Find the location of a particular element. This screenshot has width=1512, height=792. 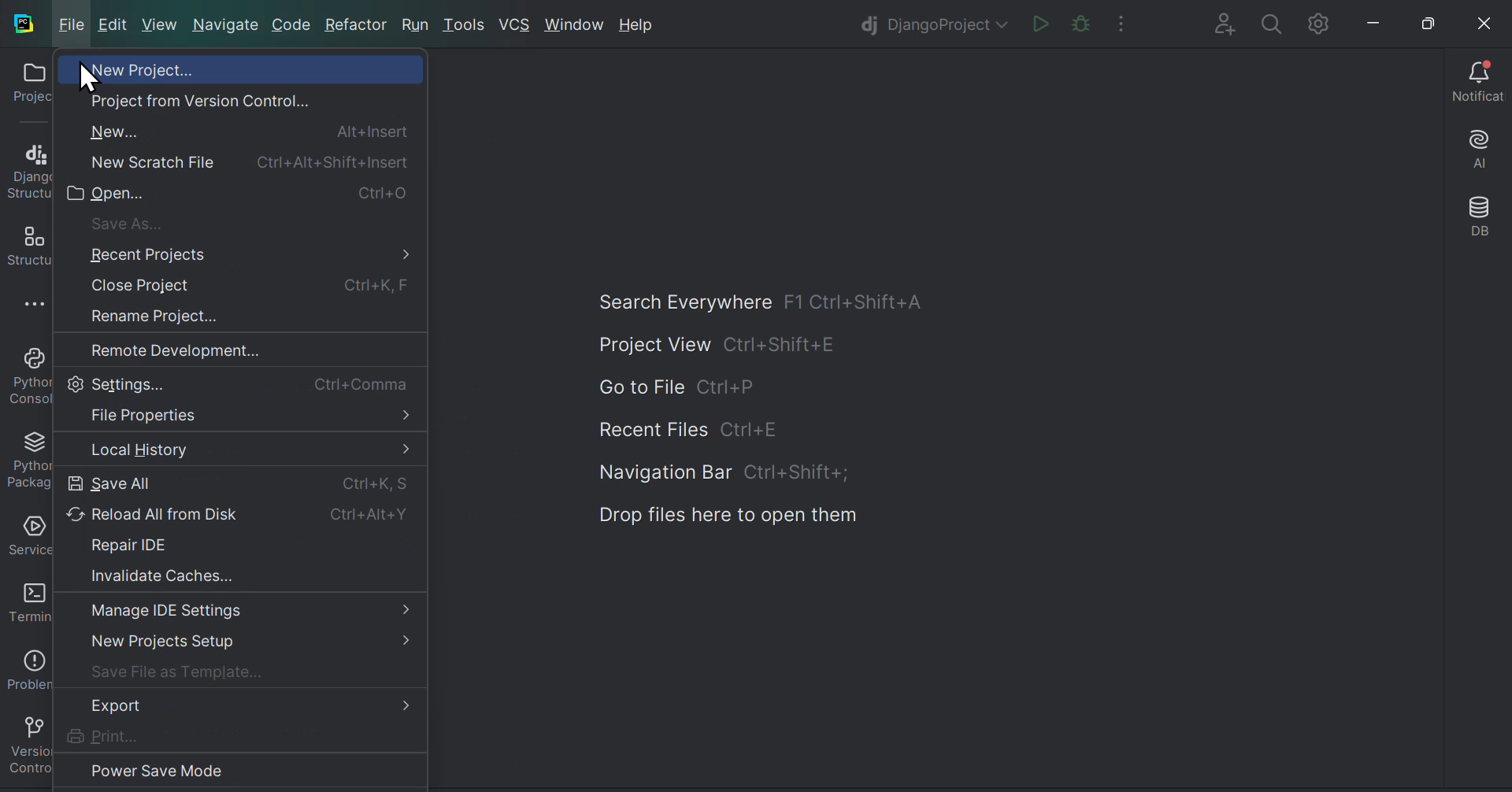

Help is located at coordinates (641, 25).